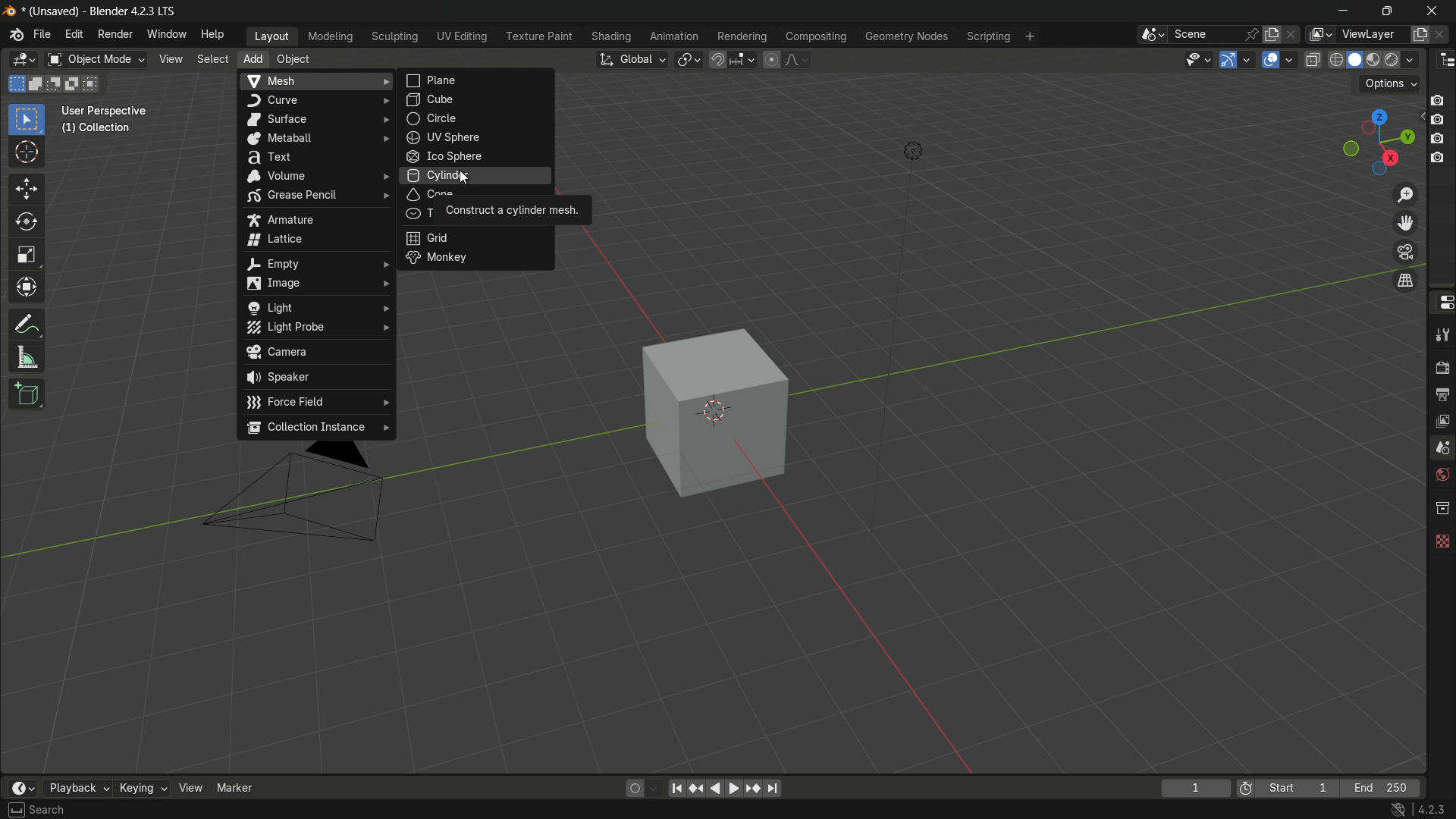 Image resolution: width=1456 pixels, height=819 pixels. I want to click on light probe, so click(315, 328).